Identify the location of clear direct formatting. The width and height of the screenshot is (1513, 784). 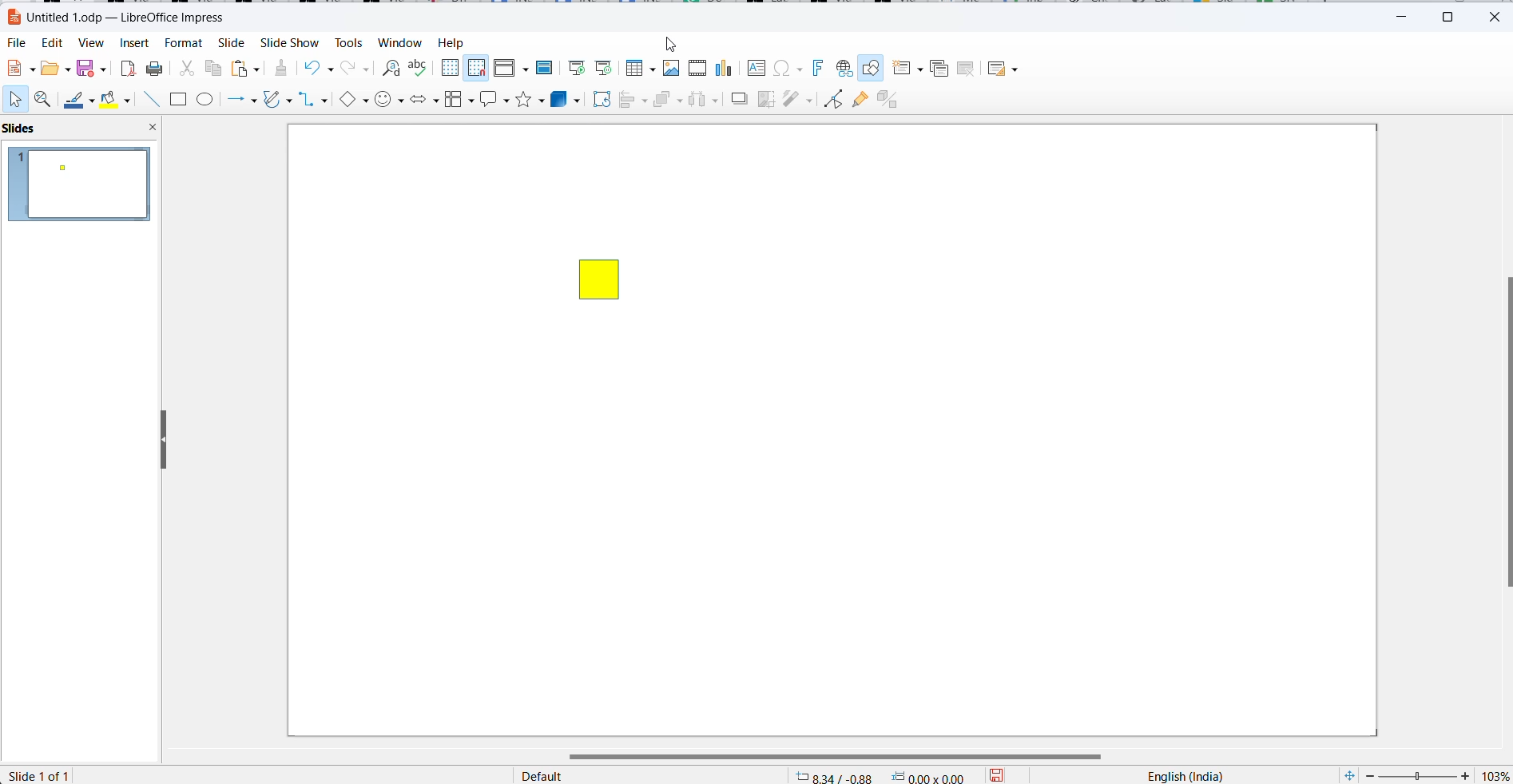
(280, 68).